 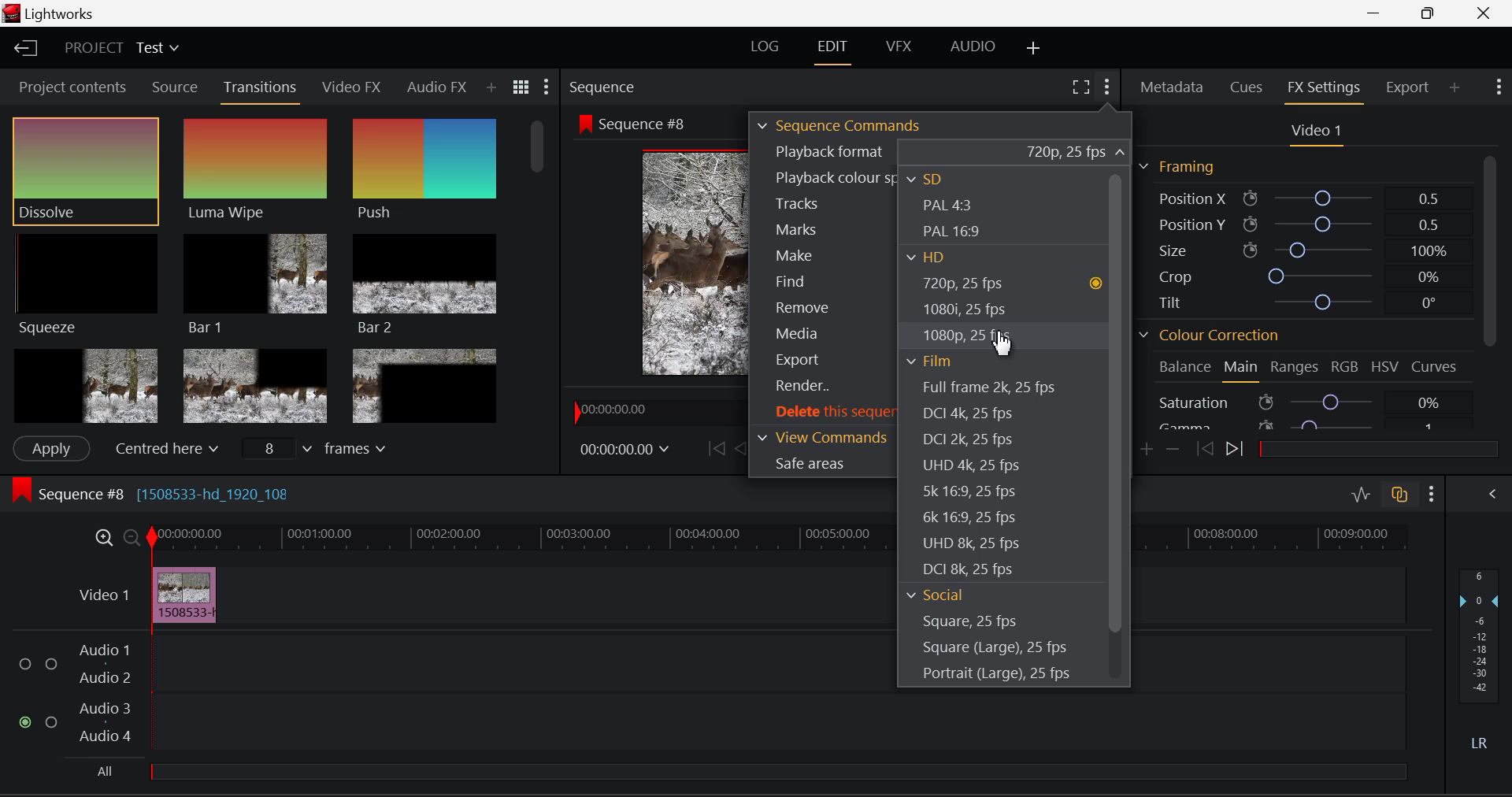 I want to click on View Commands, so click(x=823, y=436).